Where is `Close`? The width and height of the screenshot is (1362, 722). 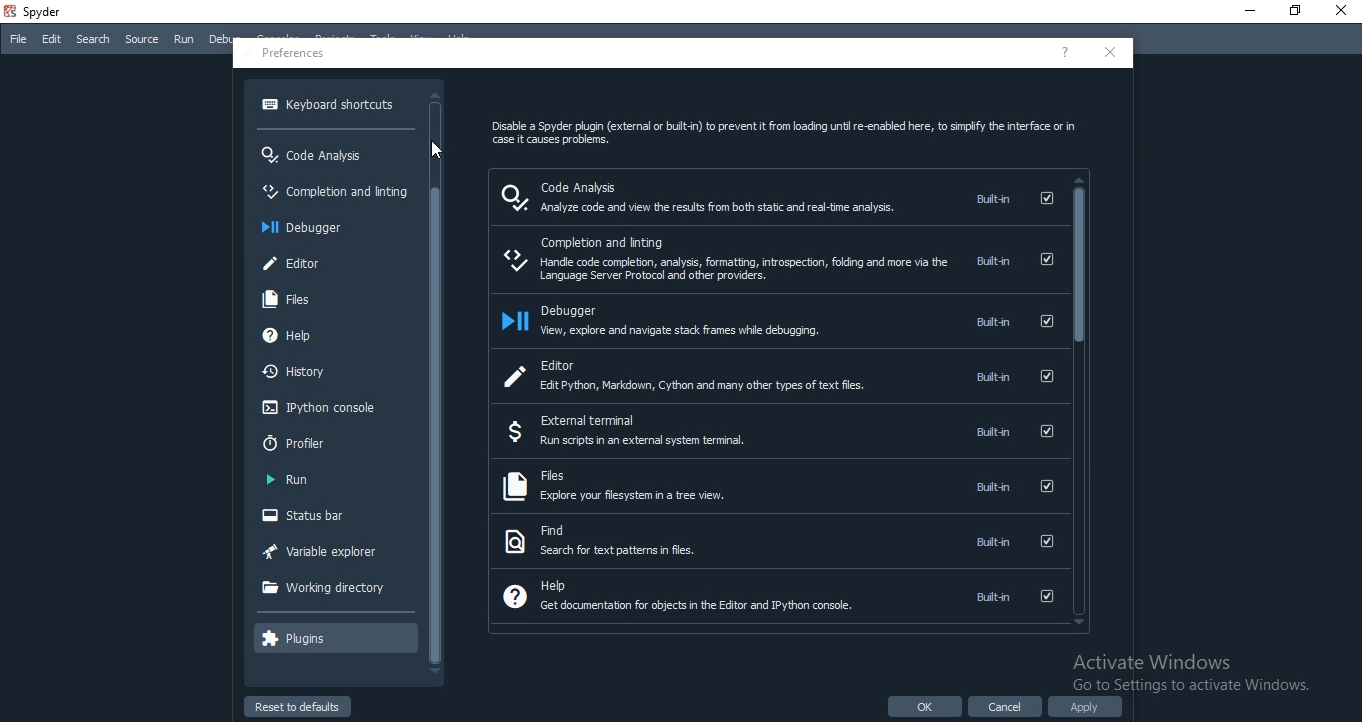 Close is located at coordinates (1342, 10).